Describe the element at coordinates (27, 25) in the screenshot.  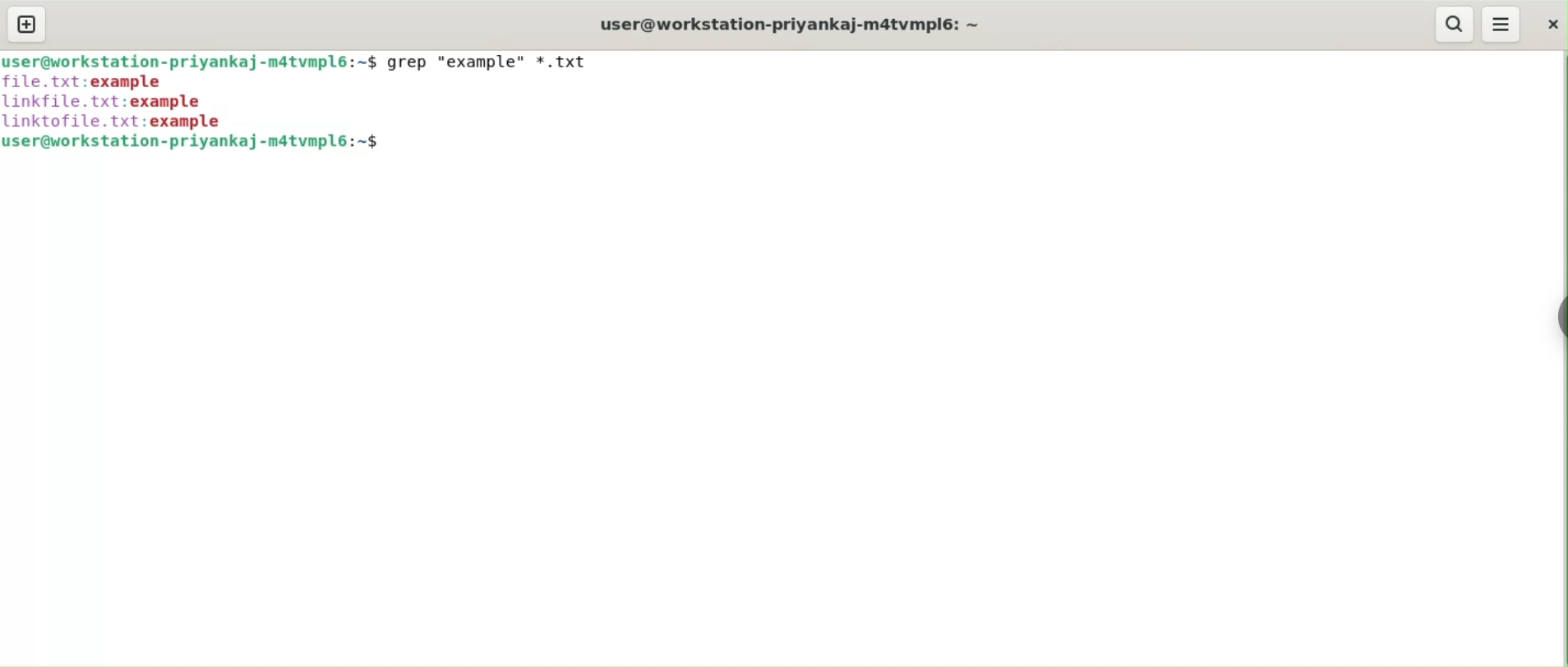
I see `new tab` at that location.